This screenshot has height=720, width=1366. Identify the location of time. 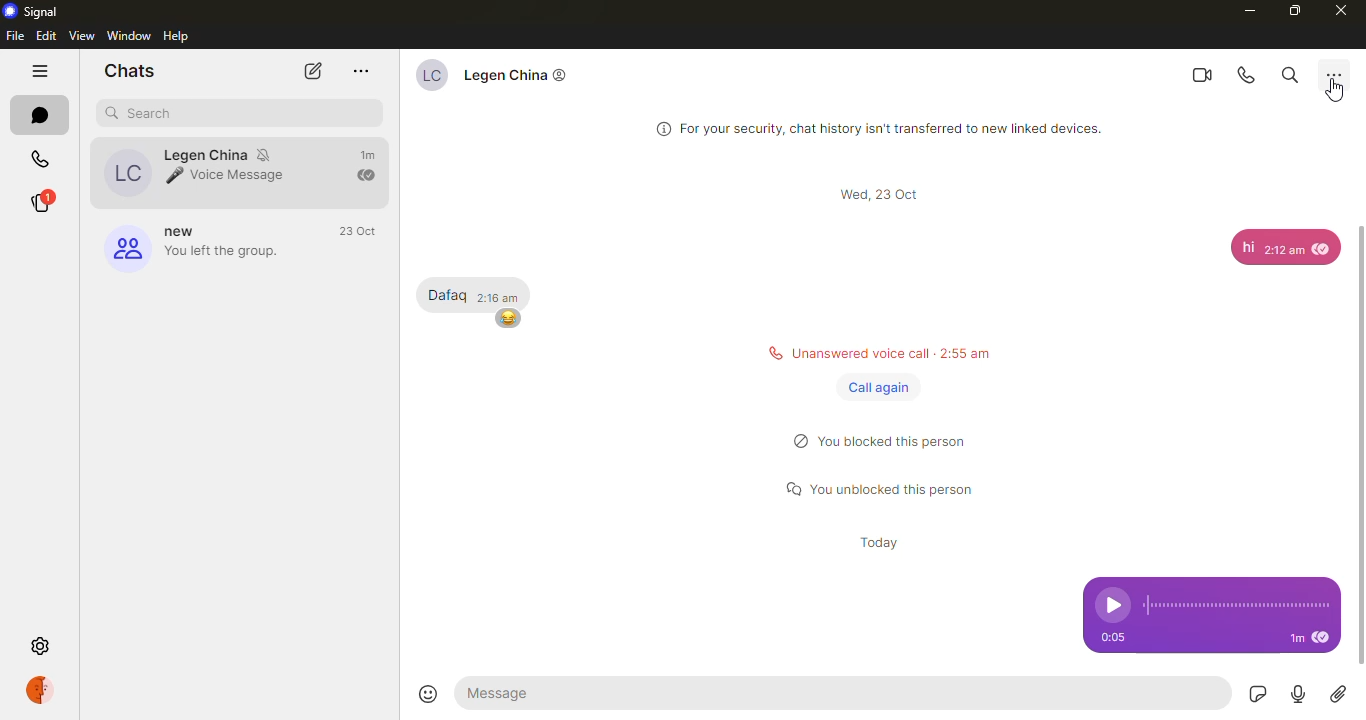
(1111, 637).